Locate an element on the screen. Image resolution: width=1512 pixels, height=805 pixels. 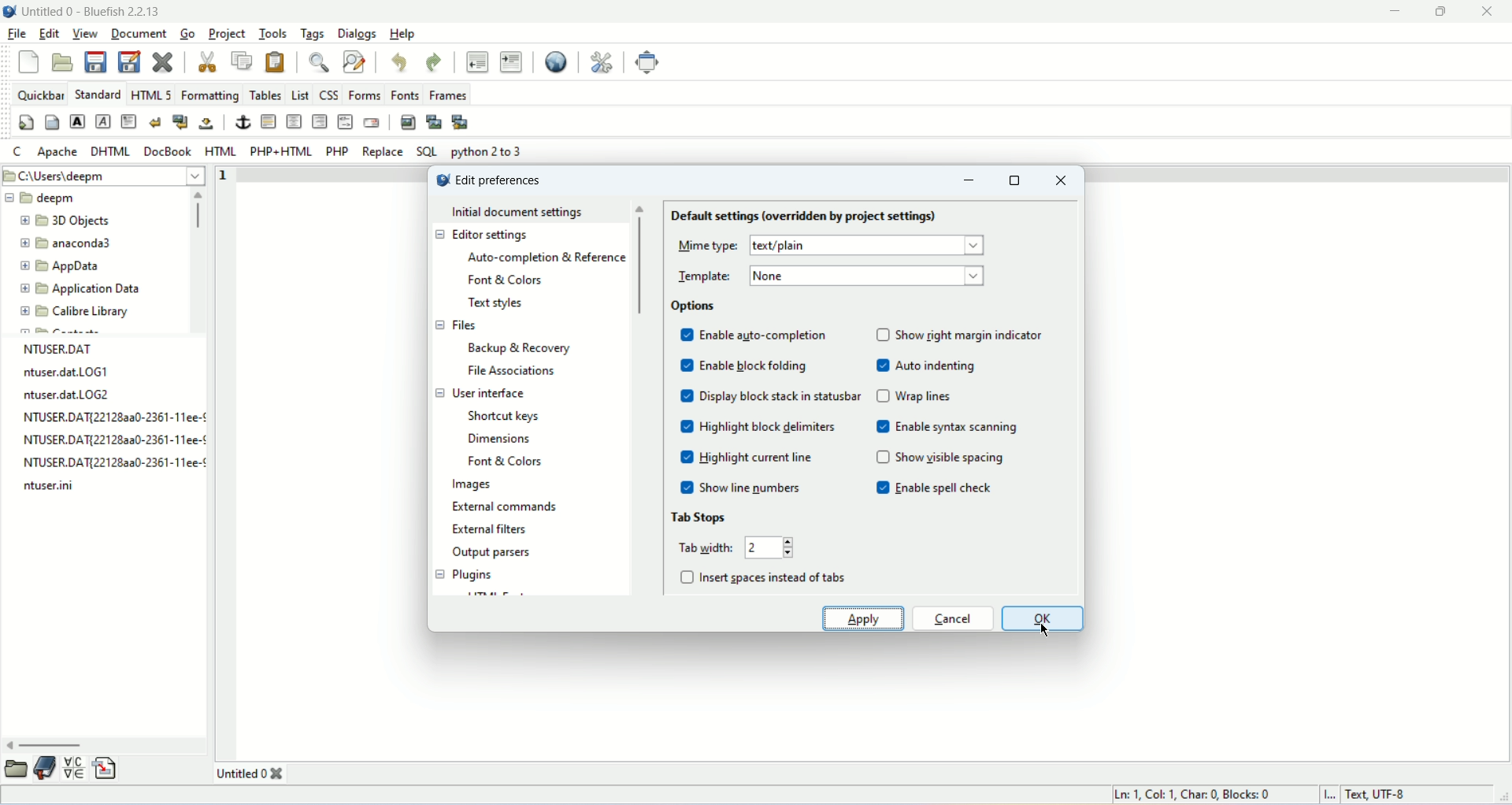
strong is located at coordinates (76, 121).